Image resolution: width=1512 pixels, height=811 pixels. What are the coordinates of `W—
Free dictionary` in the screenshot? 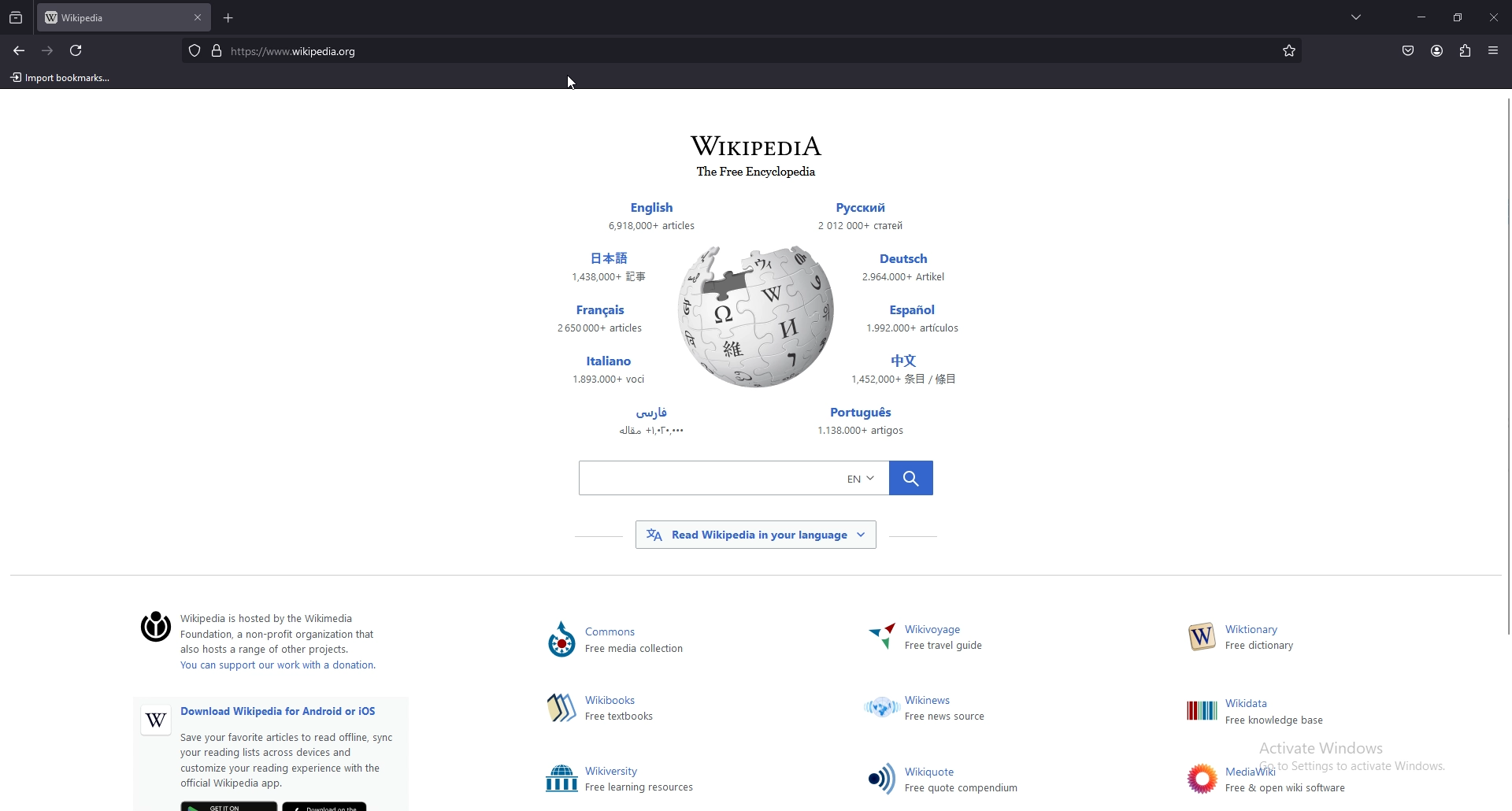 It's located at (1259, 639).